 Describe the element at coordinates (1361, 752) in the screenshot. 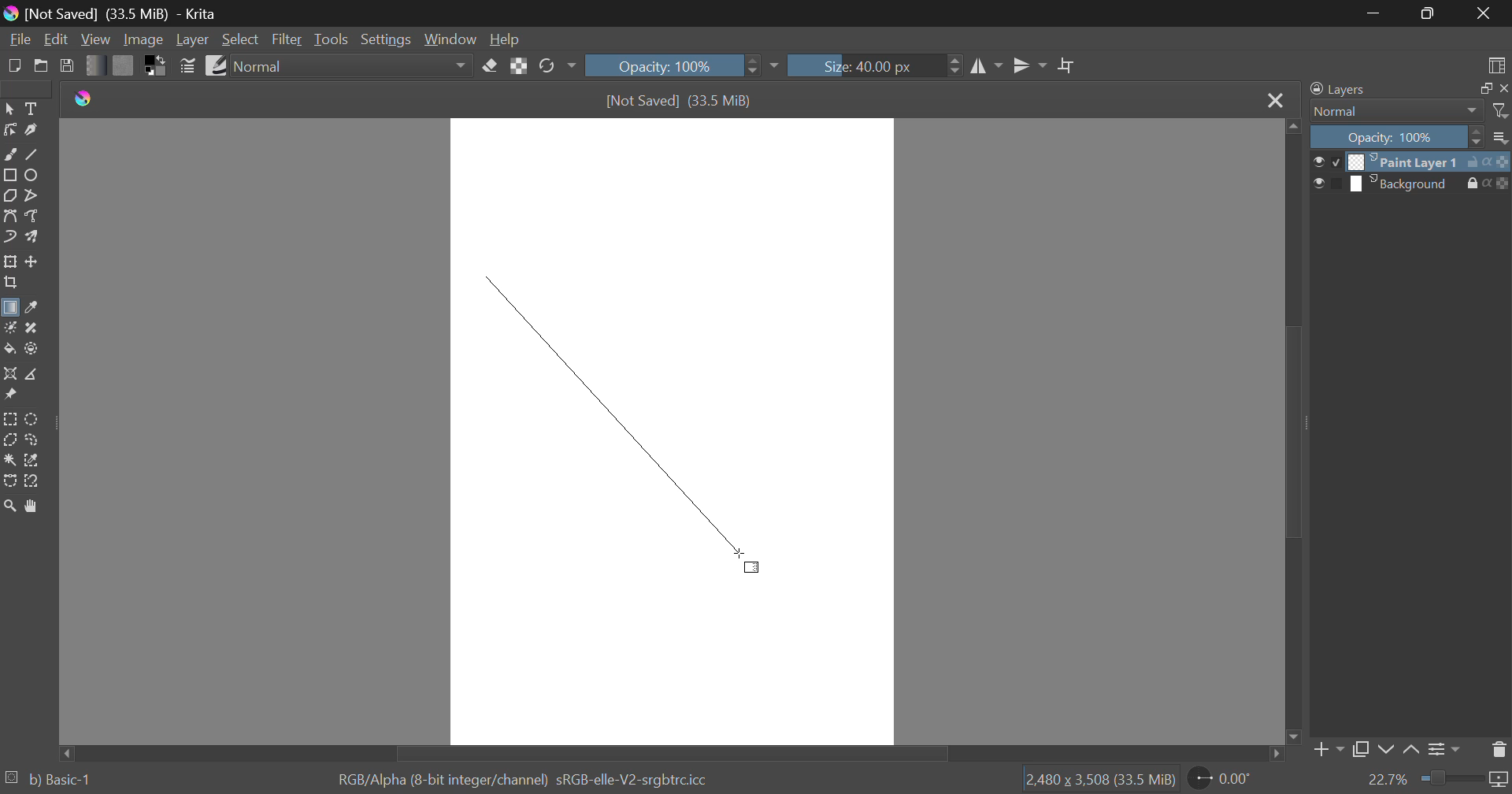

I see `Copy Layer` at that location.